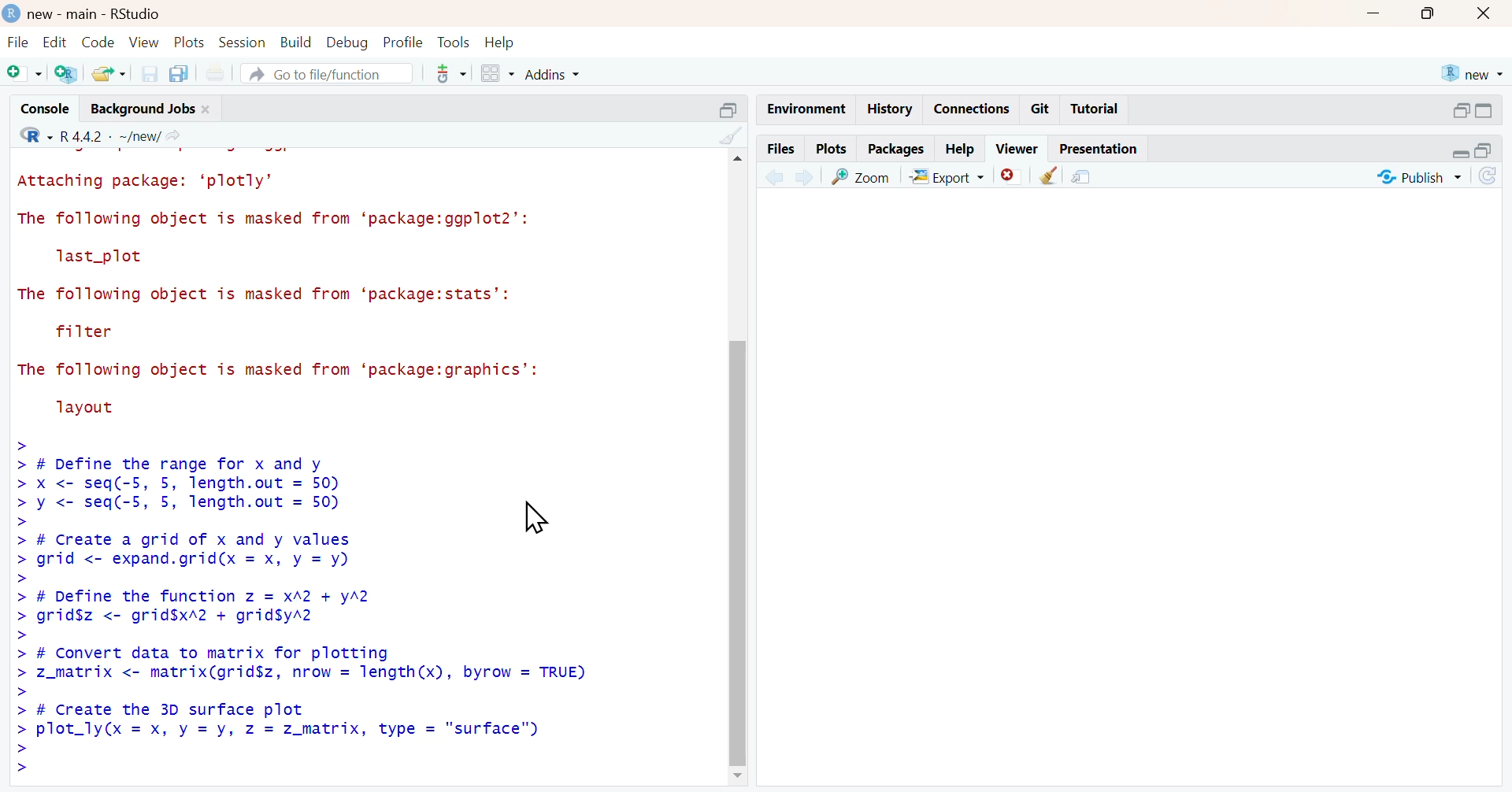 Image resolution: width=1512 pixels, height=792 pixels. What do you see at coordinates (495, 73) in the screenshot?
I see `workspace panes` at bounding box center [495, 73].